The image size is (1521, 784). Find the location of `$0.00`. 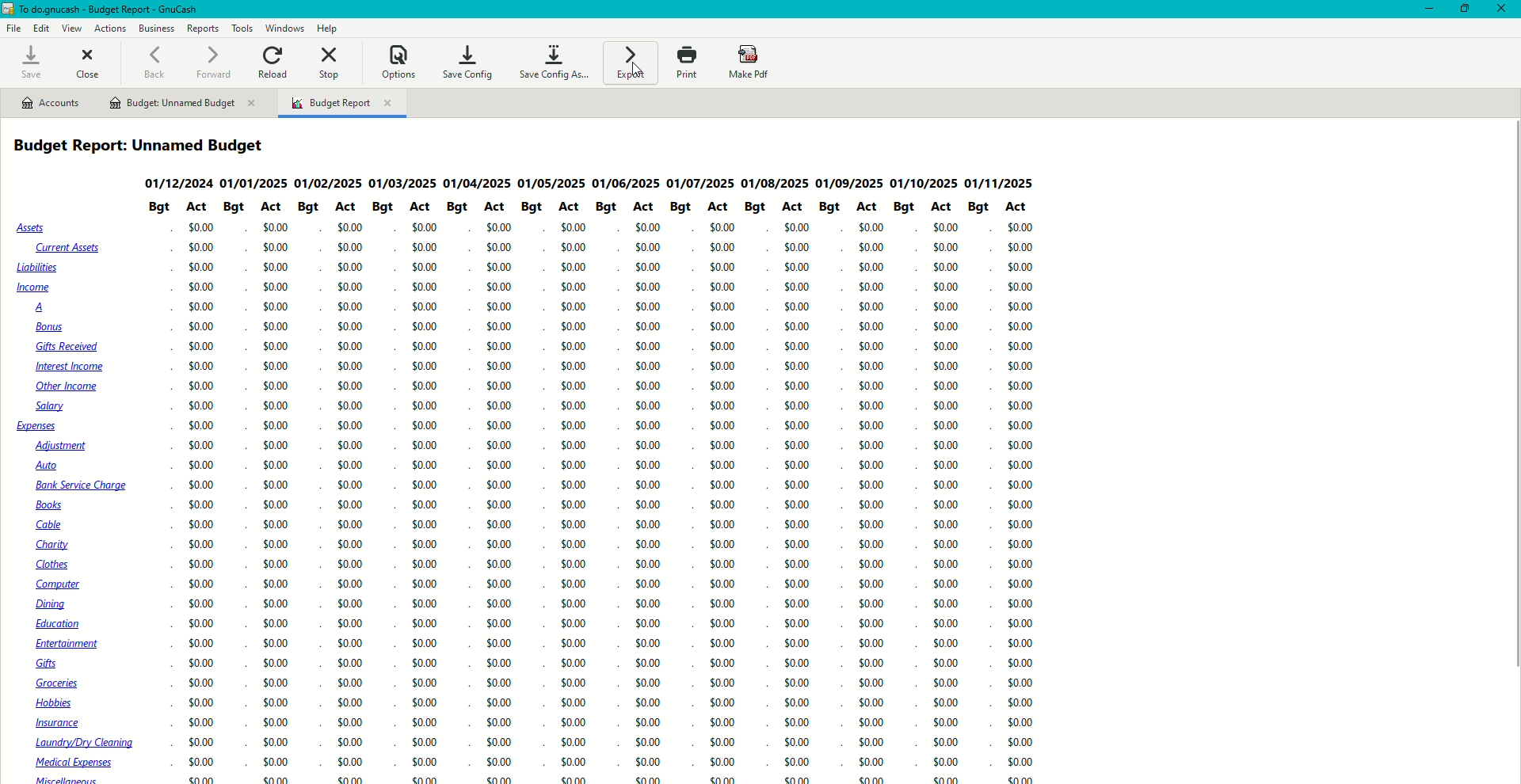

$0.00 is located at coordinates (501, 367).